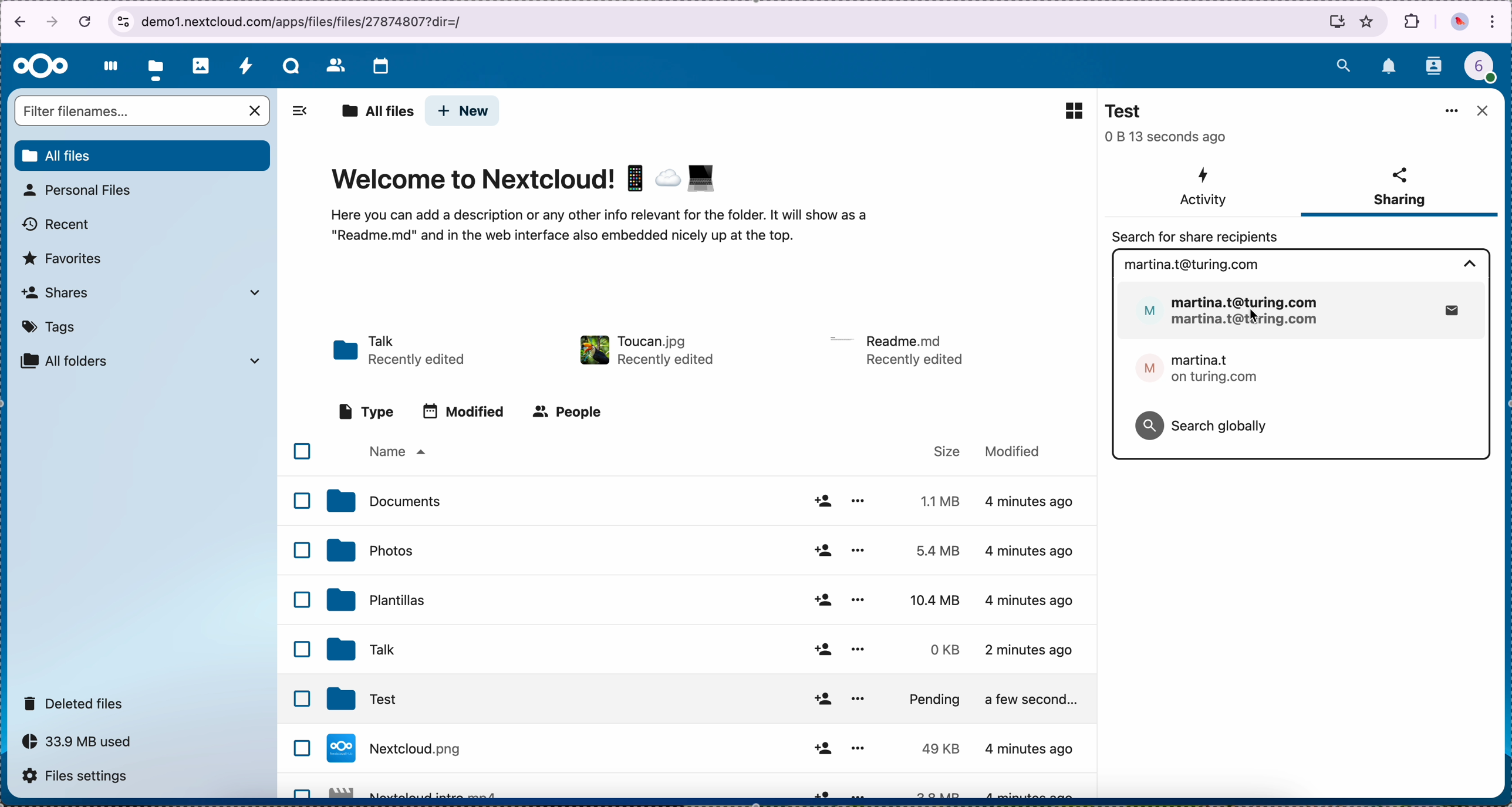 The image size is (1512, 807). I want to click on activity, so click(1202, 188).